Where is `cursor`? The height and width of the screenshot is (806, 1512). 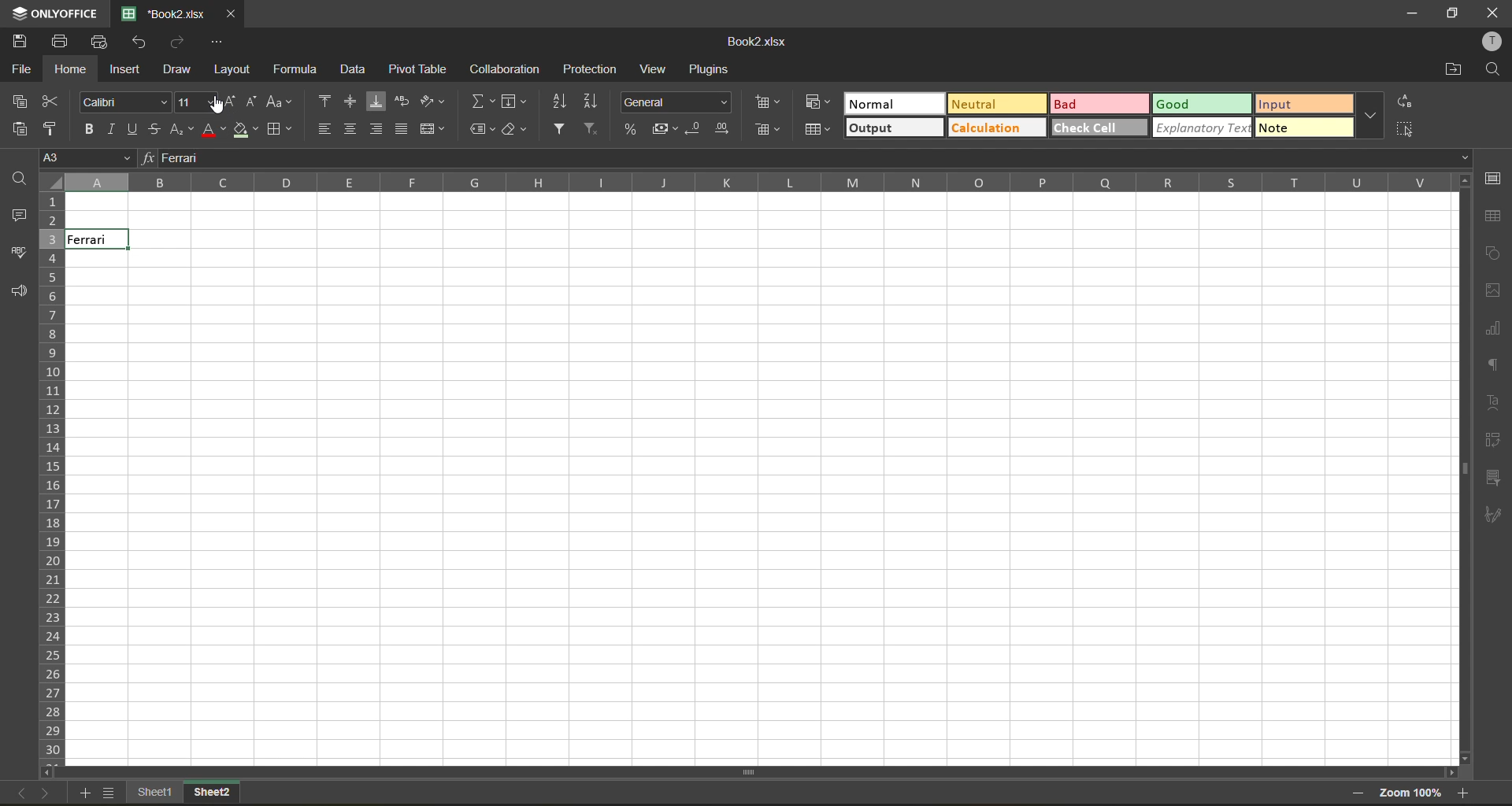
cursor is located at coordinates (213, 105).